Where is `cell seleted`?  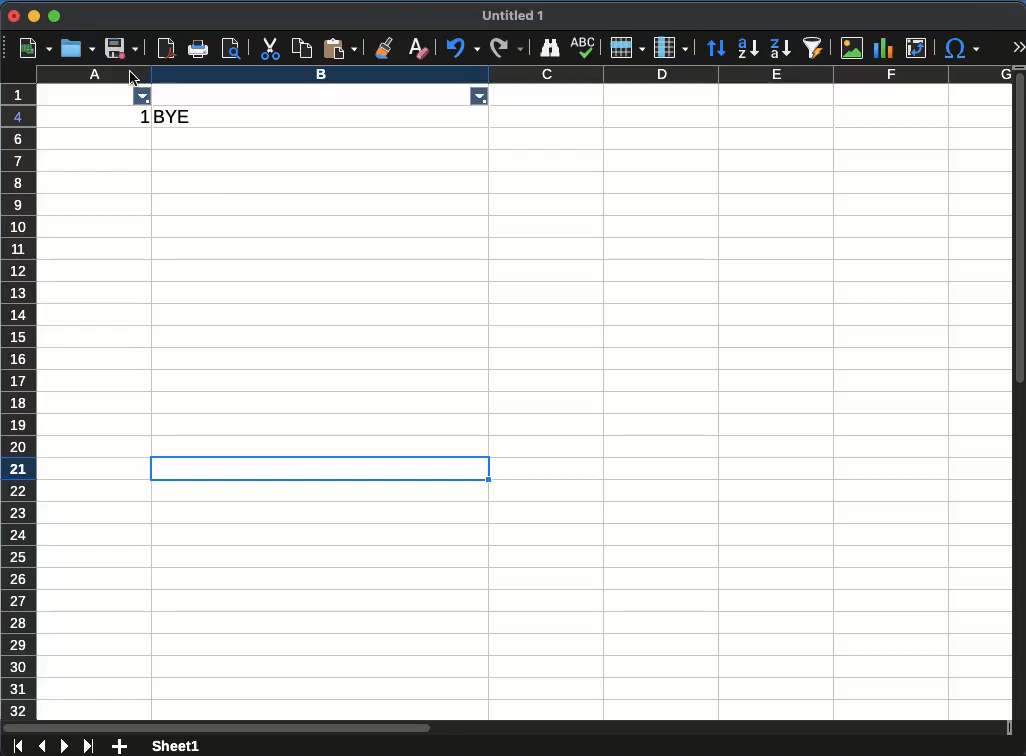 cell seleted is located at coordinates (321, 467).